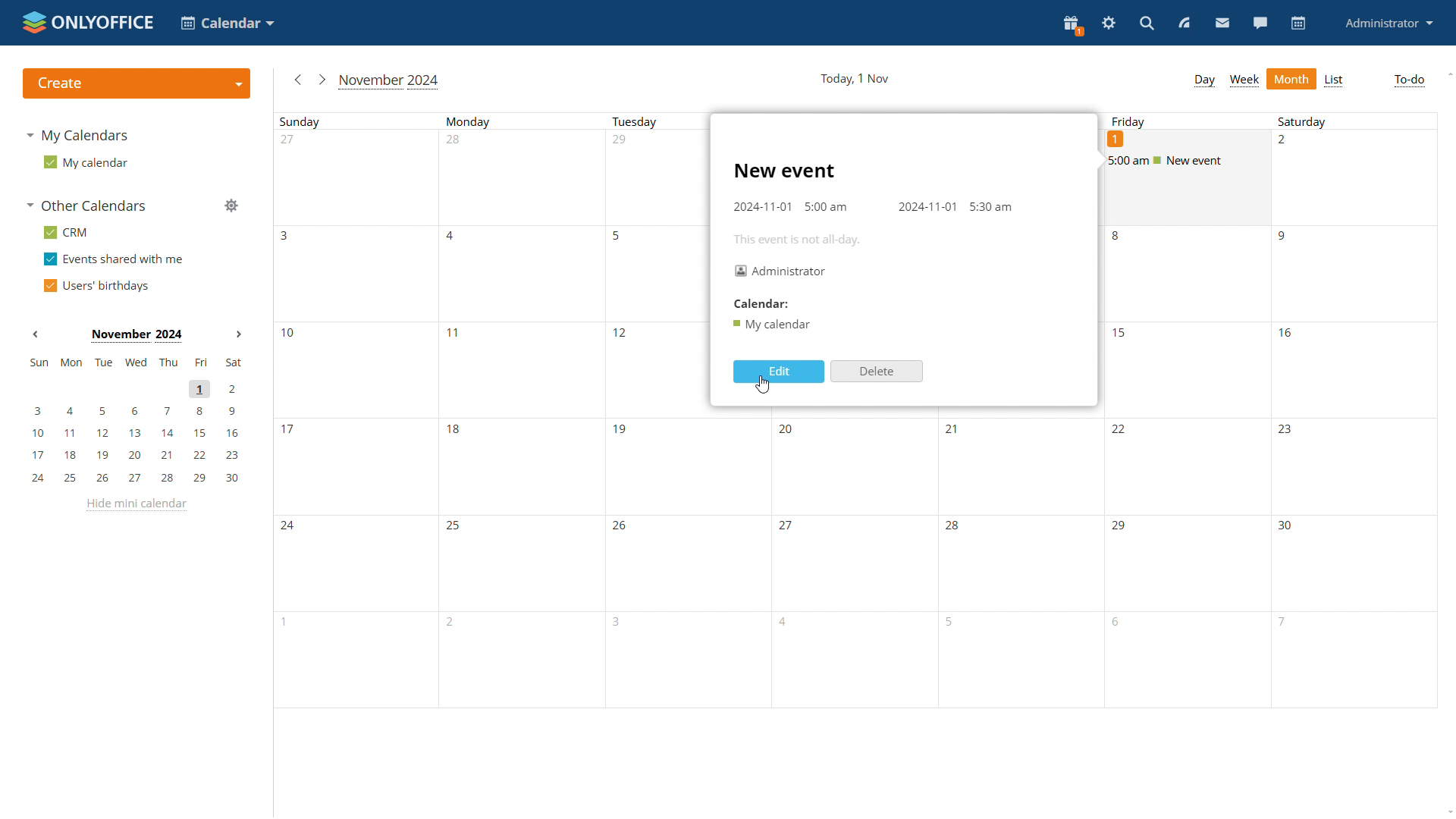 This screenshot has width=1456, height=819. What do you see at coordinates (238, 334) in the screenshot?
I see `Next month` at bounding box center [238, 334].